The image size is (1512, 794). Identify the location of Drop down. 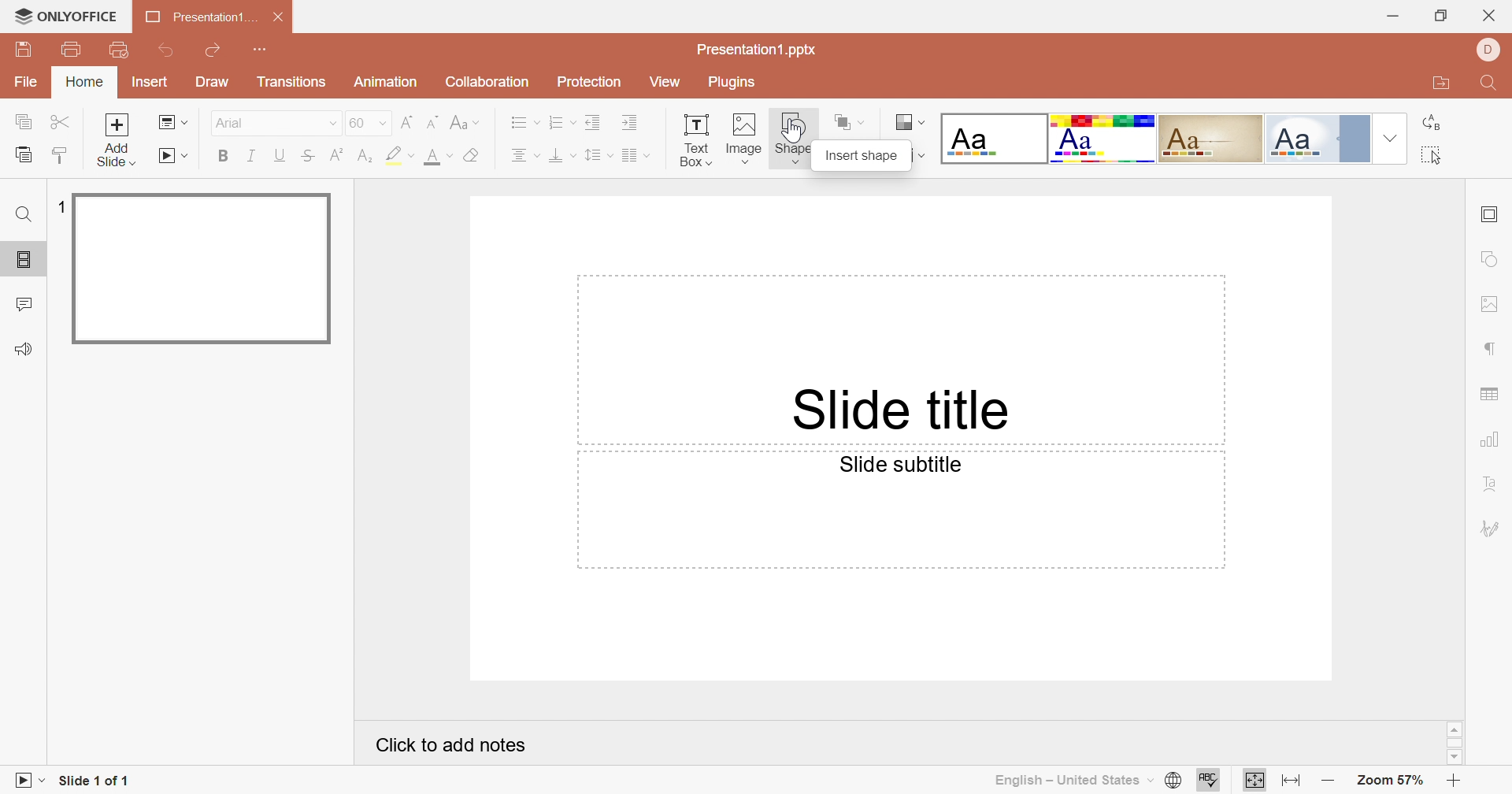
(1392, 138).